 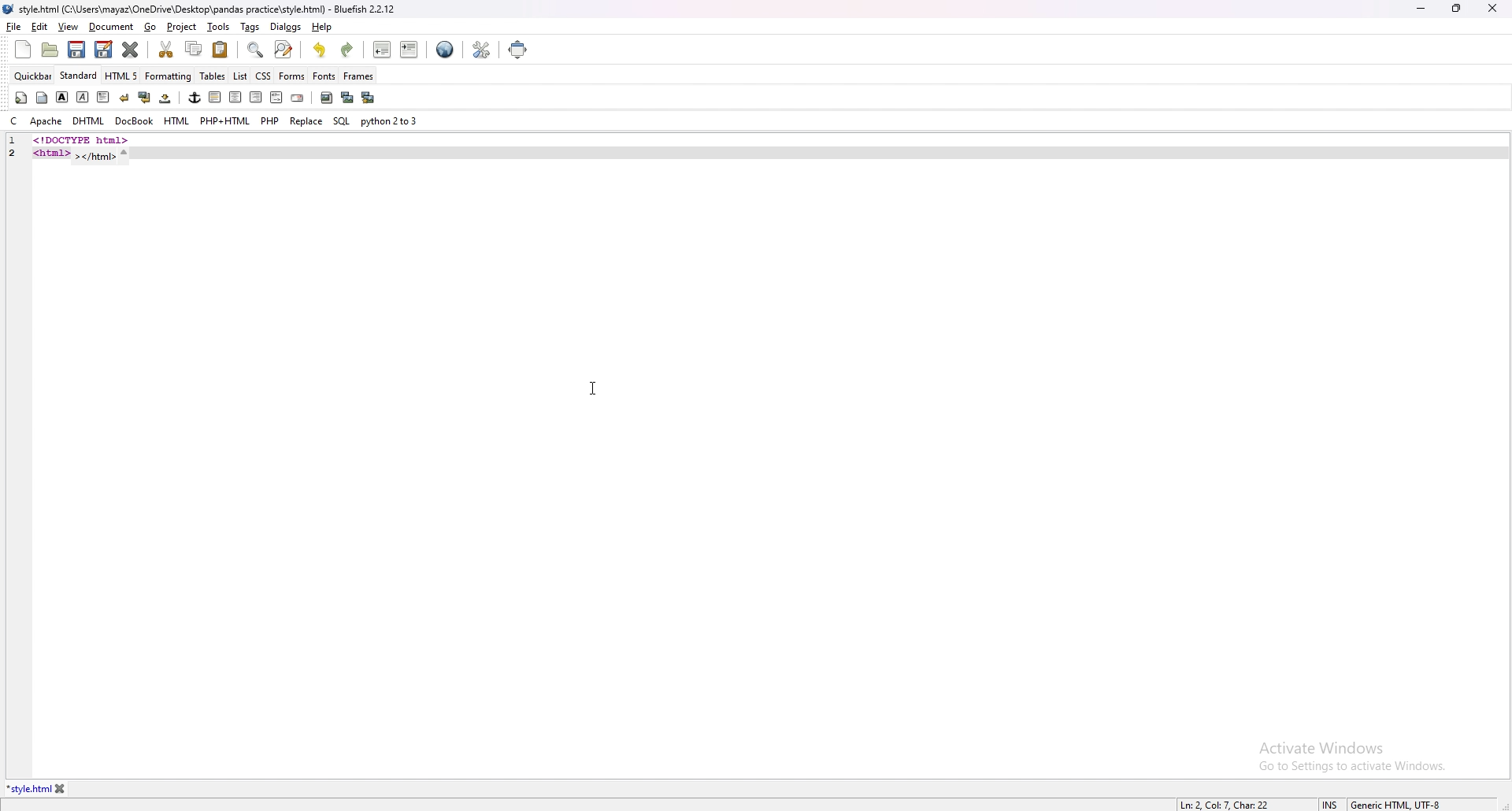 I want to click on center, so click(x=235, y=98).